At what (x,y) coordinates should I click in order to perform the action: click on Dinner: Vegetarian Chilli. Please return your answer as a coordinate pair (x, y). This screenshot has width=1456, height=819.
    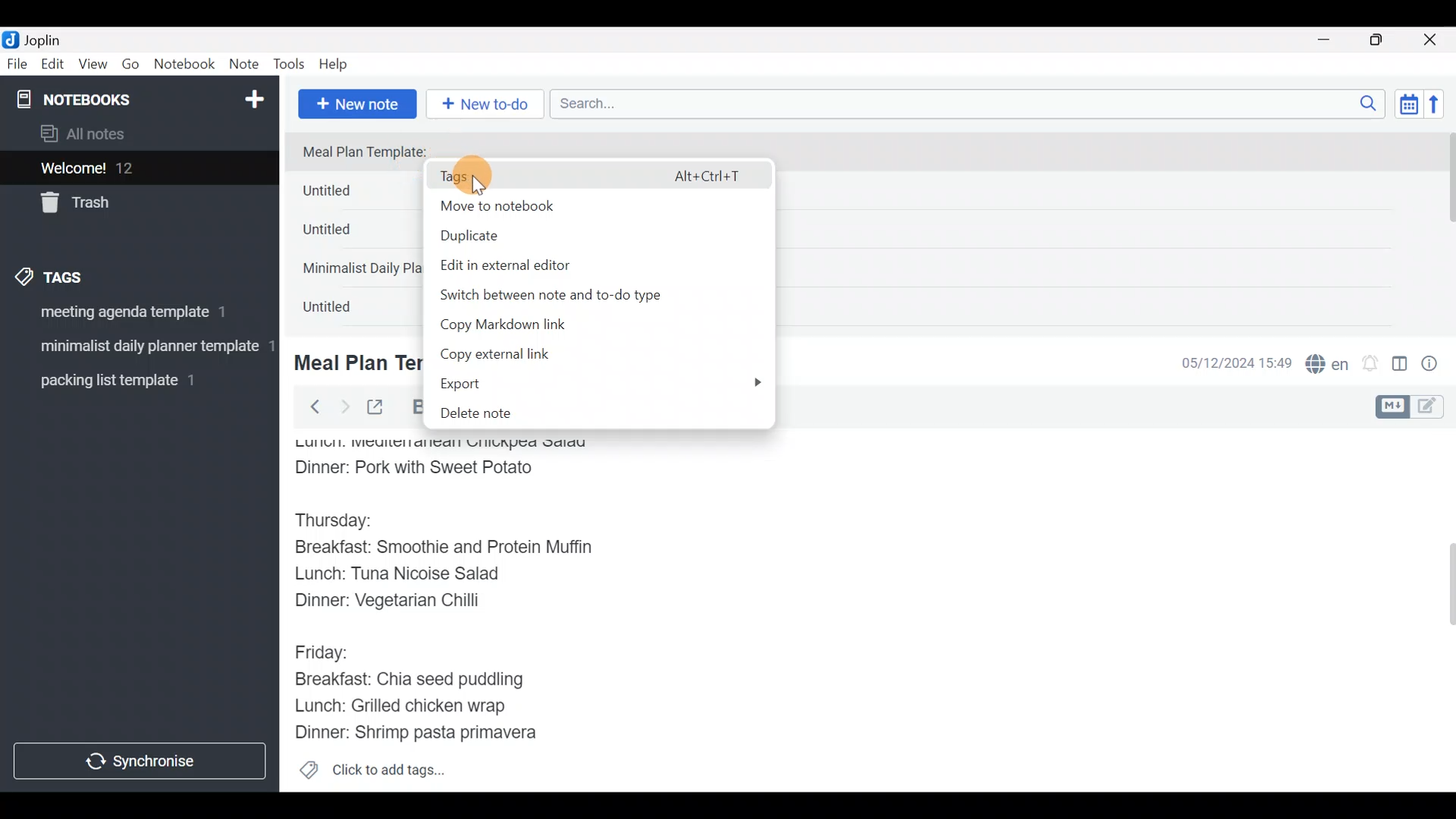
    Looking at the image, I should click on (401, 604).